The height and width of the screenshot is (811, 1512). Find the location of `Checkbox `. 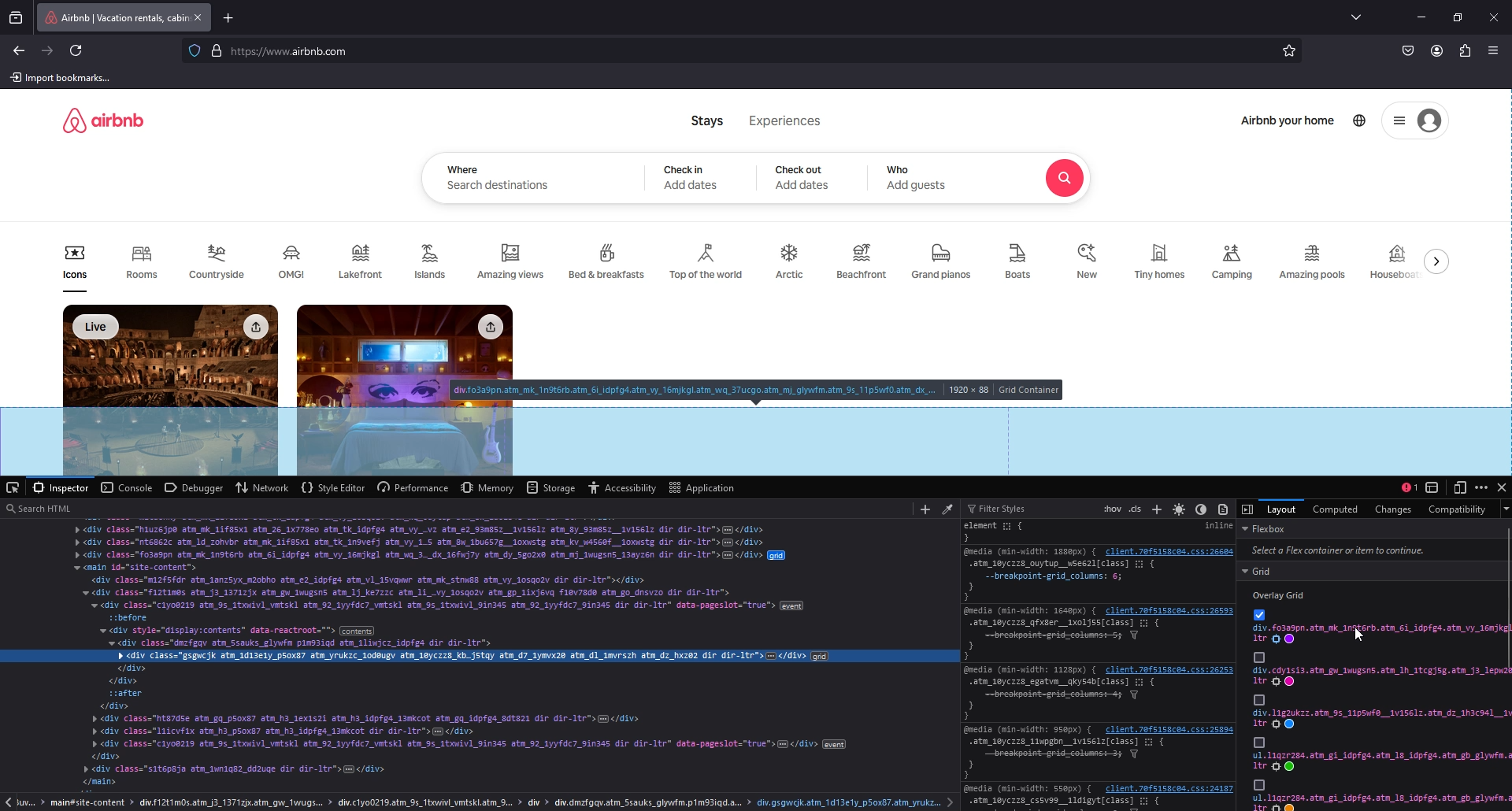

Checkbox  is located at coordinates (1258, 657).